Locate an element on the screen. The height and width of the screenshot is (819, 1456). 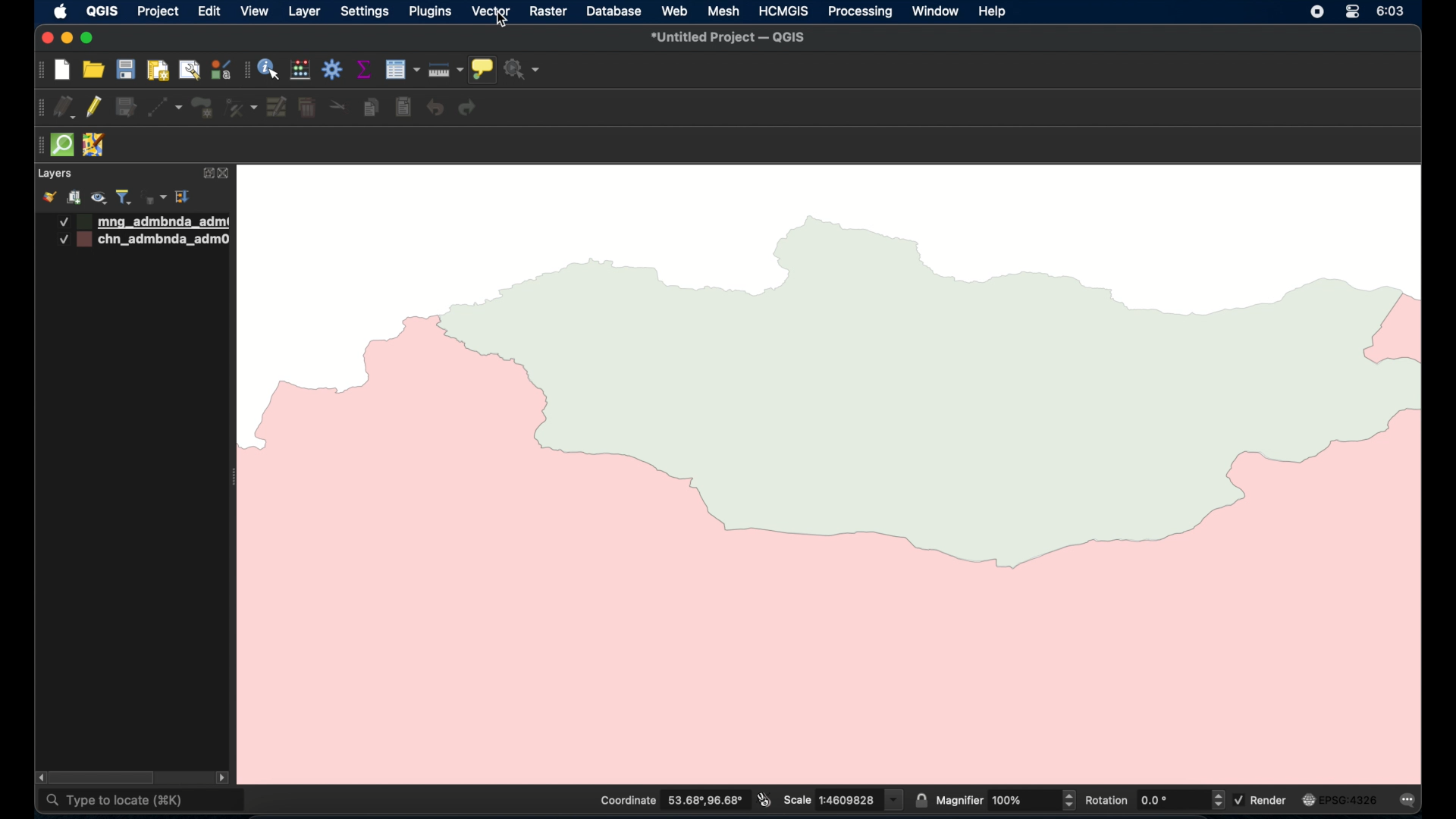
QGIS is located at coordinates (102, 11).